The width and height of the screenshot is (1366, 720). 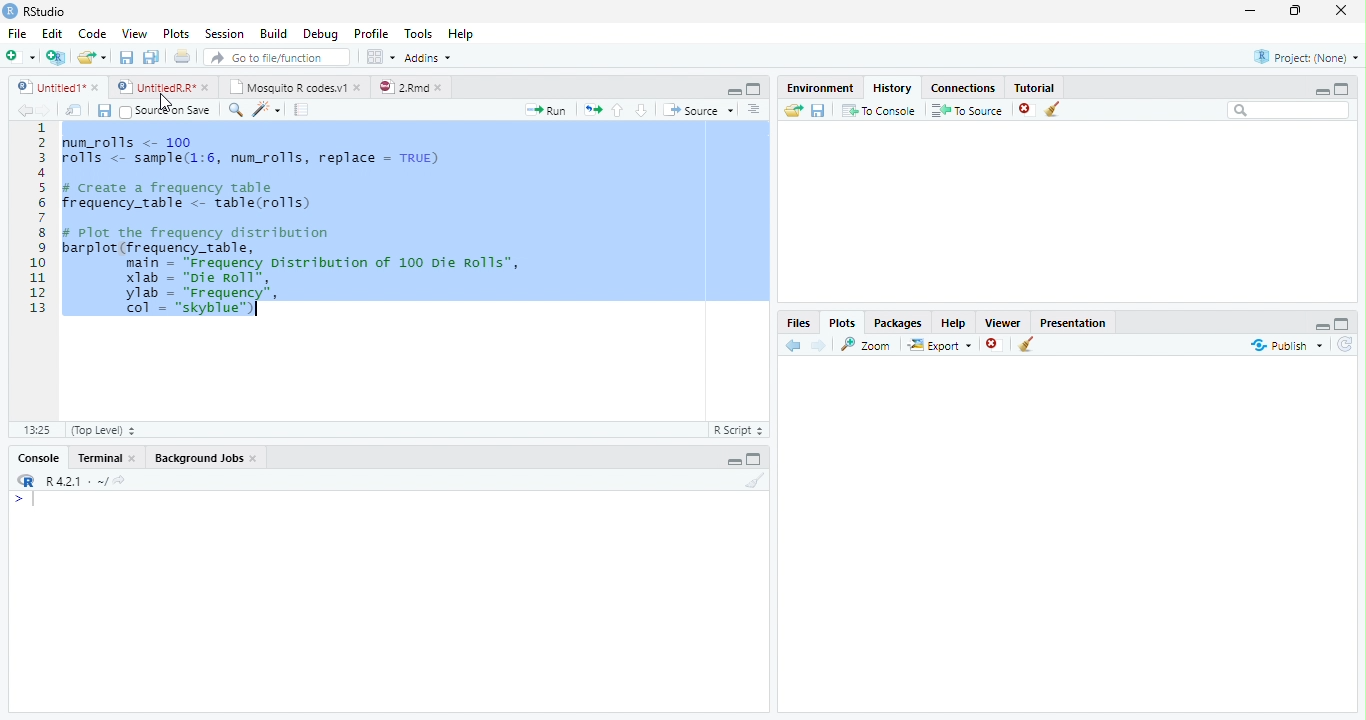 What do you see at coordinates (18, 31) in the screenshot?
I see `File` at bounding box center [18, 31].